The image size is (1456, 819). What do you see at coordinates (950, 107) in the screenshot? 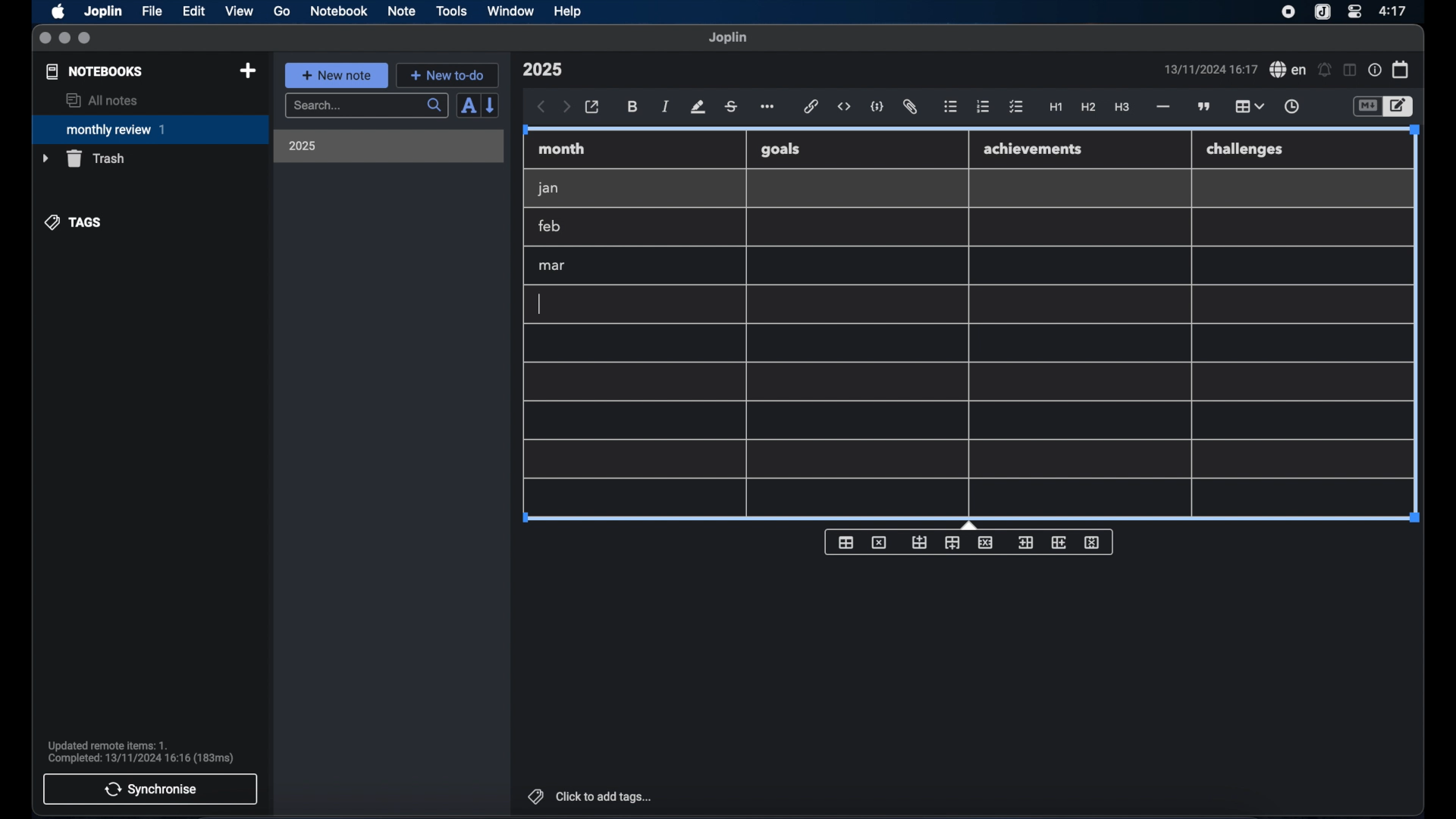
I see `bulleted list` at bounding box center [950, 107].